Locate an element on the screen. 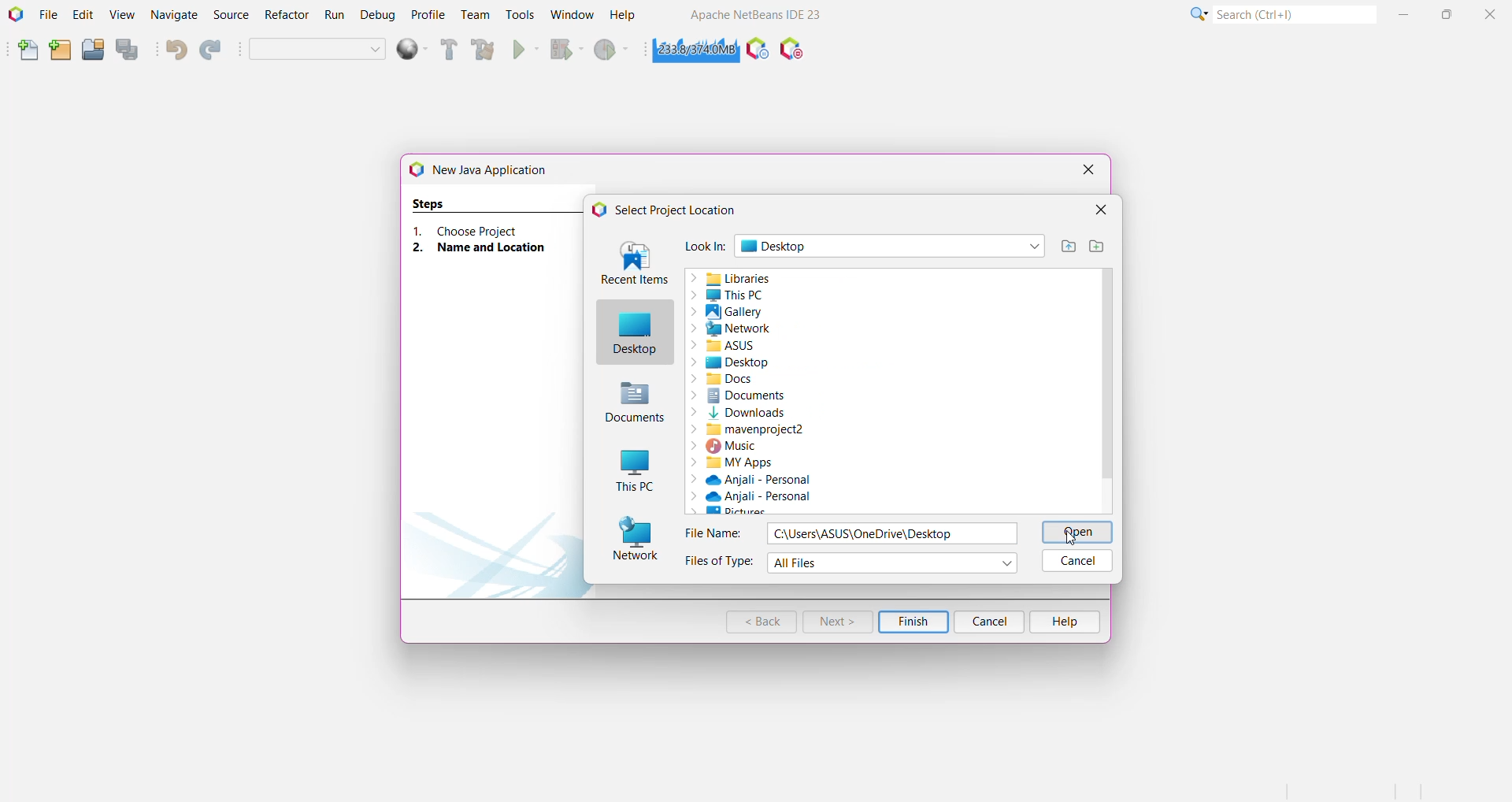 The height and width of the screenshot is (802, 1512). My Apps is located at coordinates (816, 462).